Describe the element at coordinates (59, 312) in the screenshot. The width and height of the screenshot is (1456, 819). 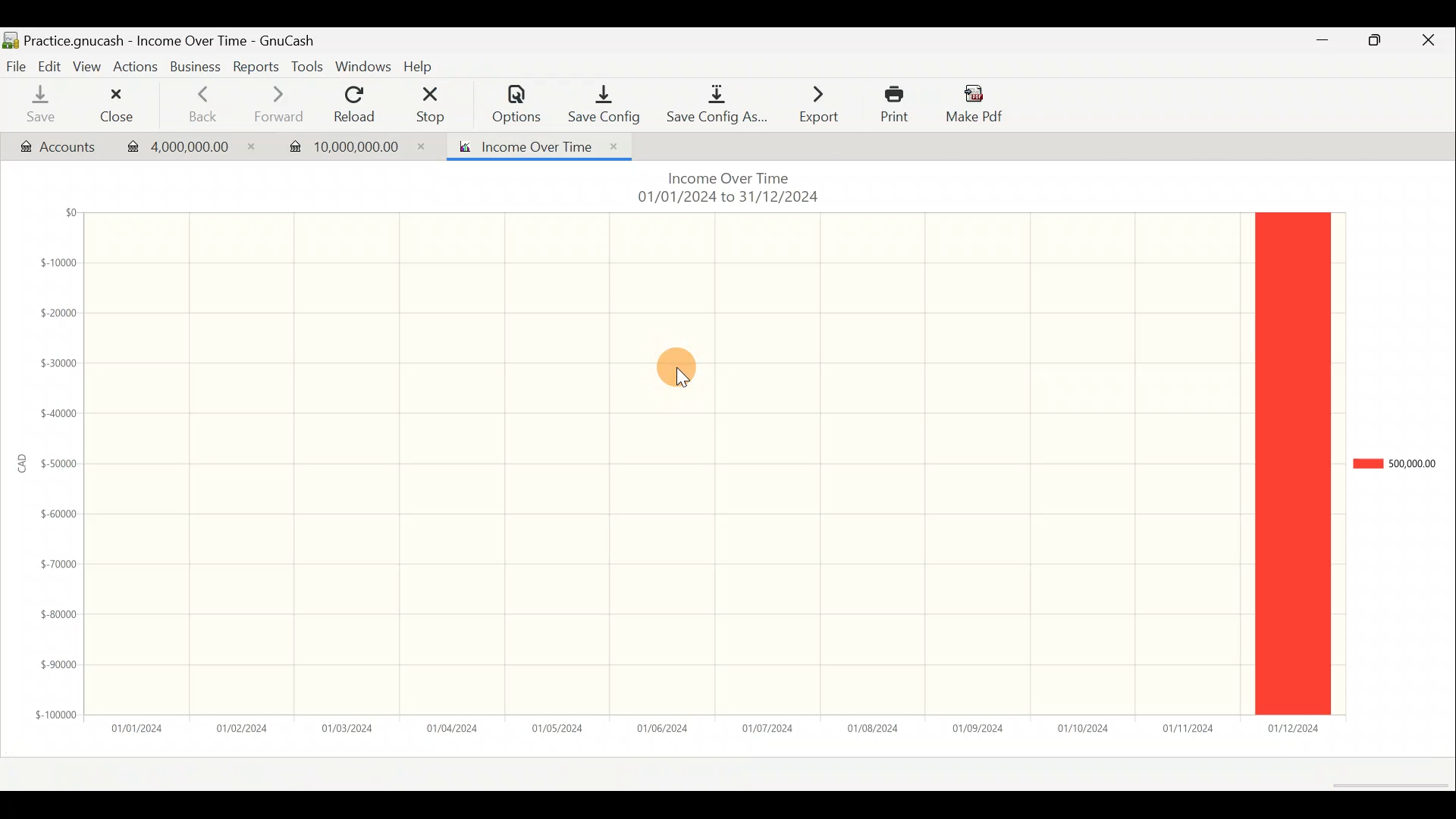
I see `$-20000` at that location.